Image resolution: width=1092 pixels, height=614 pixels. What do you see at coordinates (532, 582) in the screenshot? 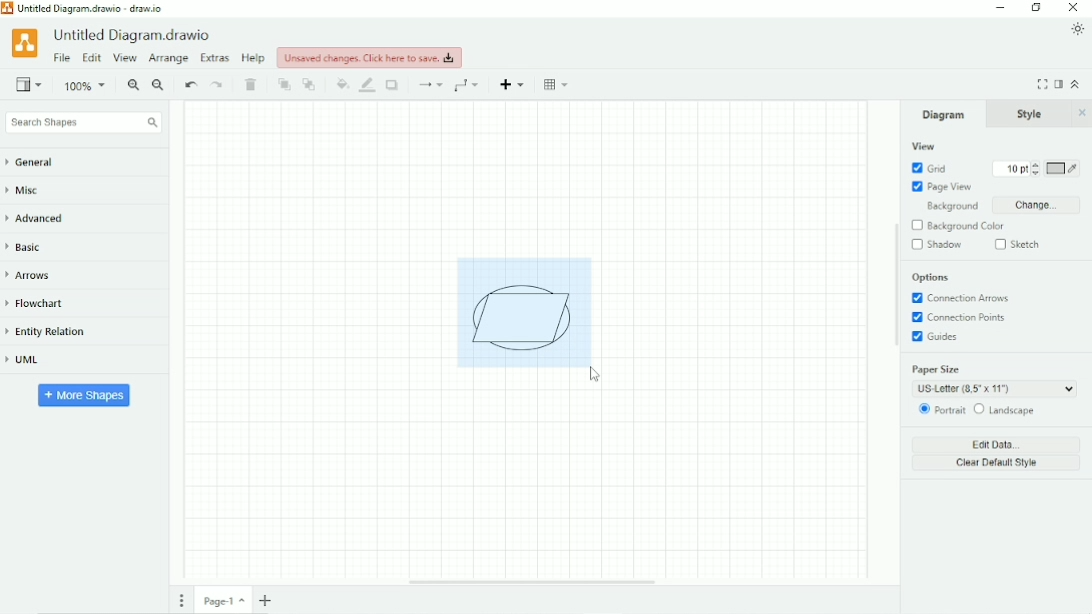
I see `Horizontal scrollbar` at bounding box center [532, 582].